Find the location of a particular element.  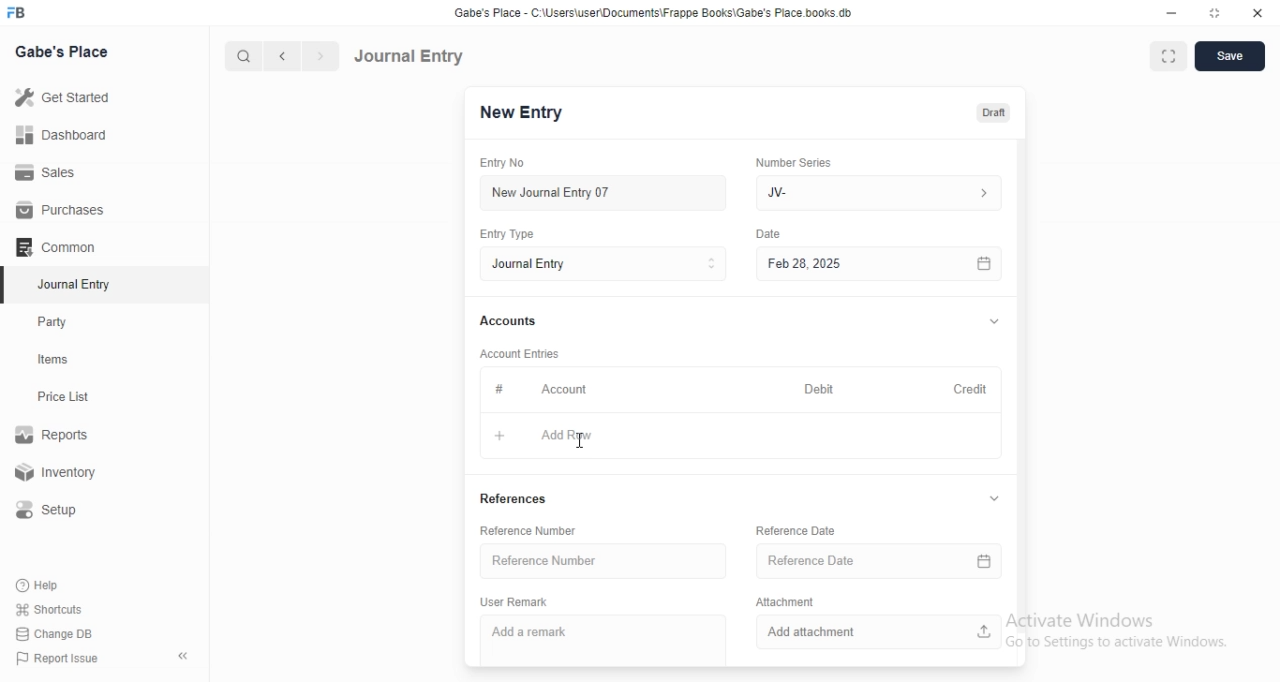

v is located at coordinates (998, 500).